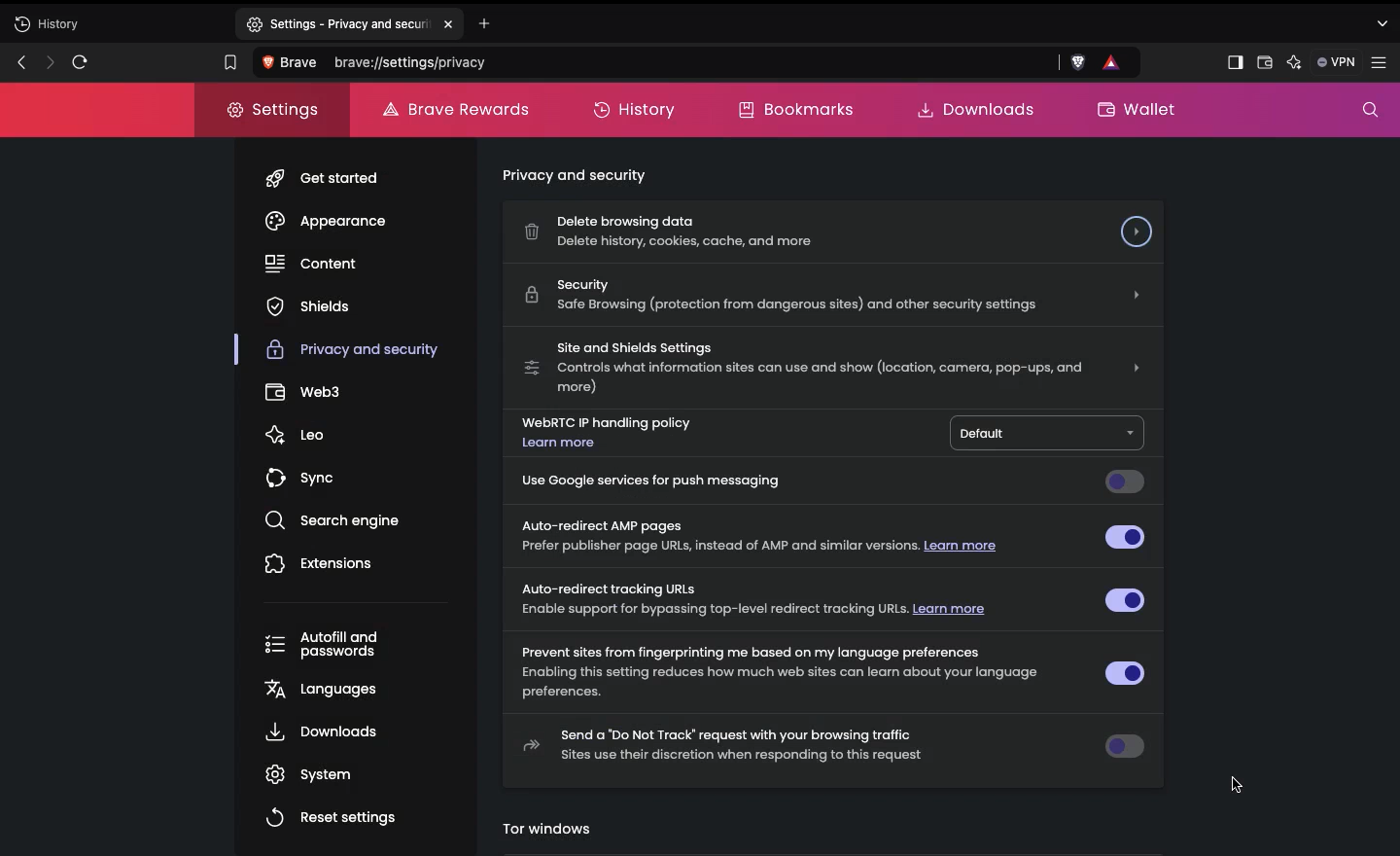 The height and width of the screenshot is (856, 1400). What do you see at coordinates (639, 108) in the screenshot?
I see `History` at bounding box center [639, 108].